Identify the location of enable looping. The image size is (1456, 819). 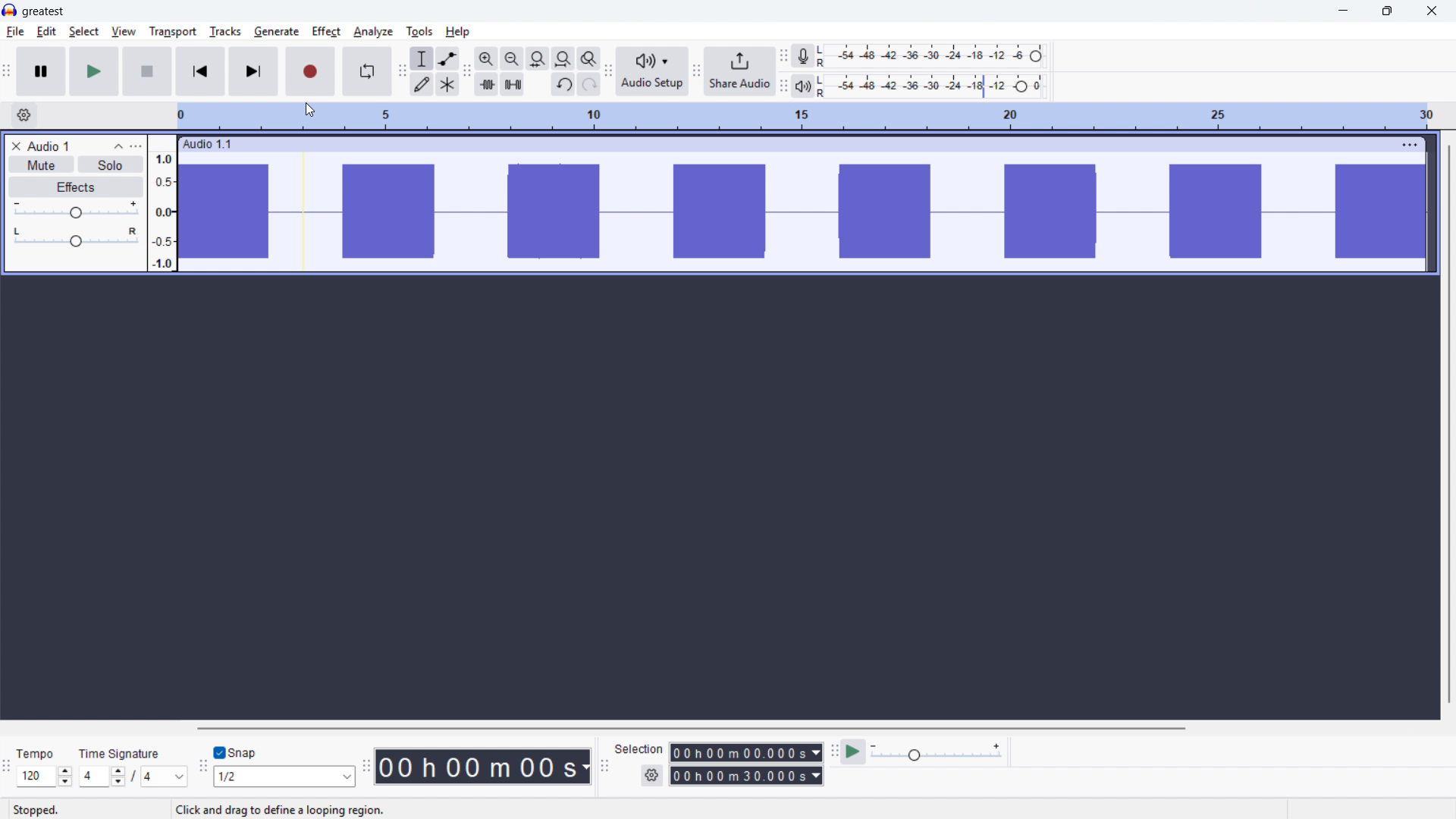
(367, 72).